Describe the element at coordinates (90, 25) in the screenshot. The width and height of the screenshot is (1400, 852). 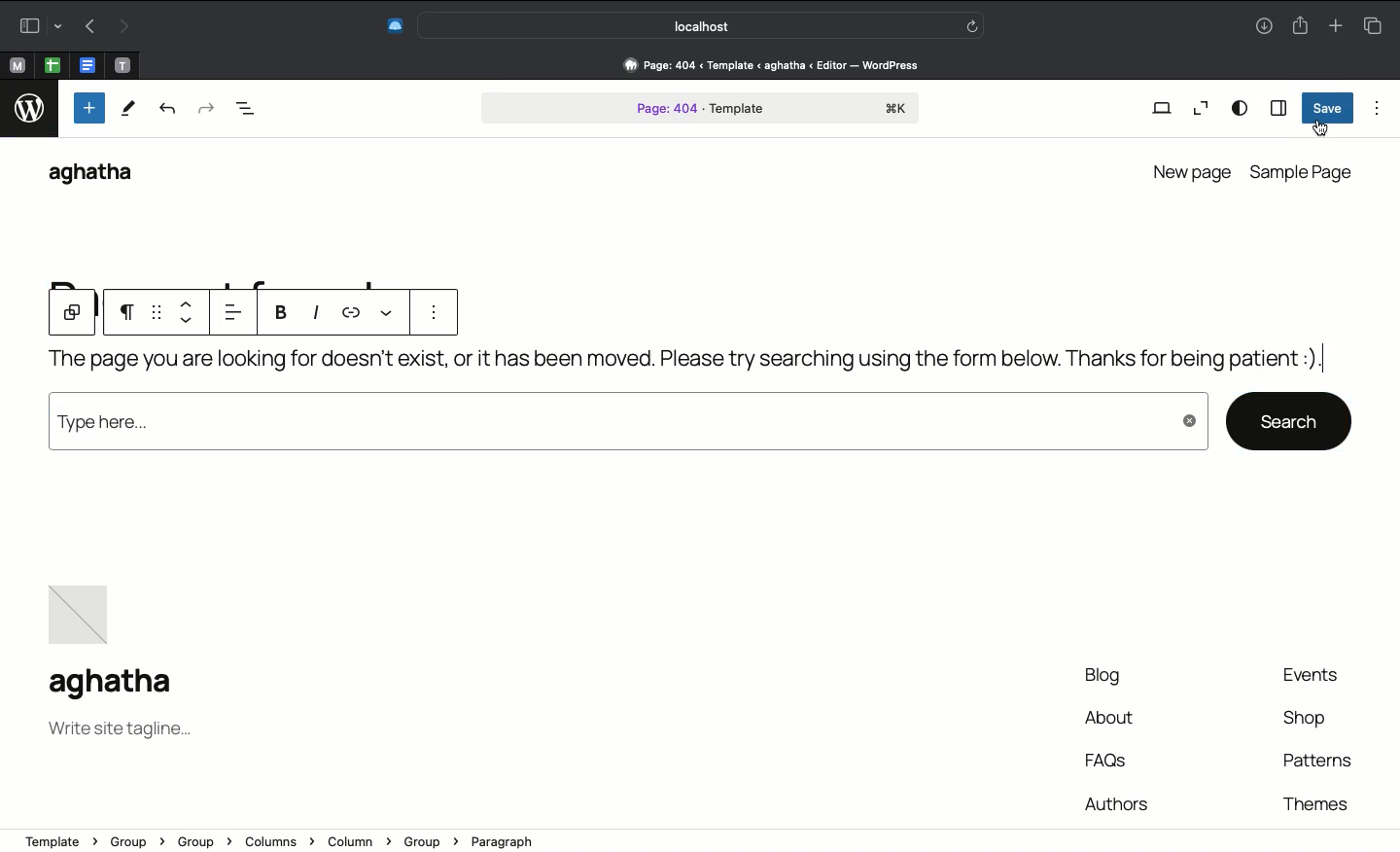
I see `Undo` at that location.